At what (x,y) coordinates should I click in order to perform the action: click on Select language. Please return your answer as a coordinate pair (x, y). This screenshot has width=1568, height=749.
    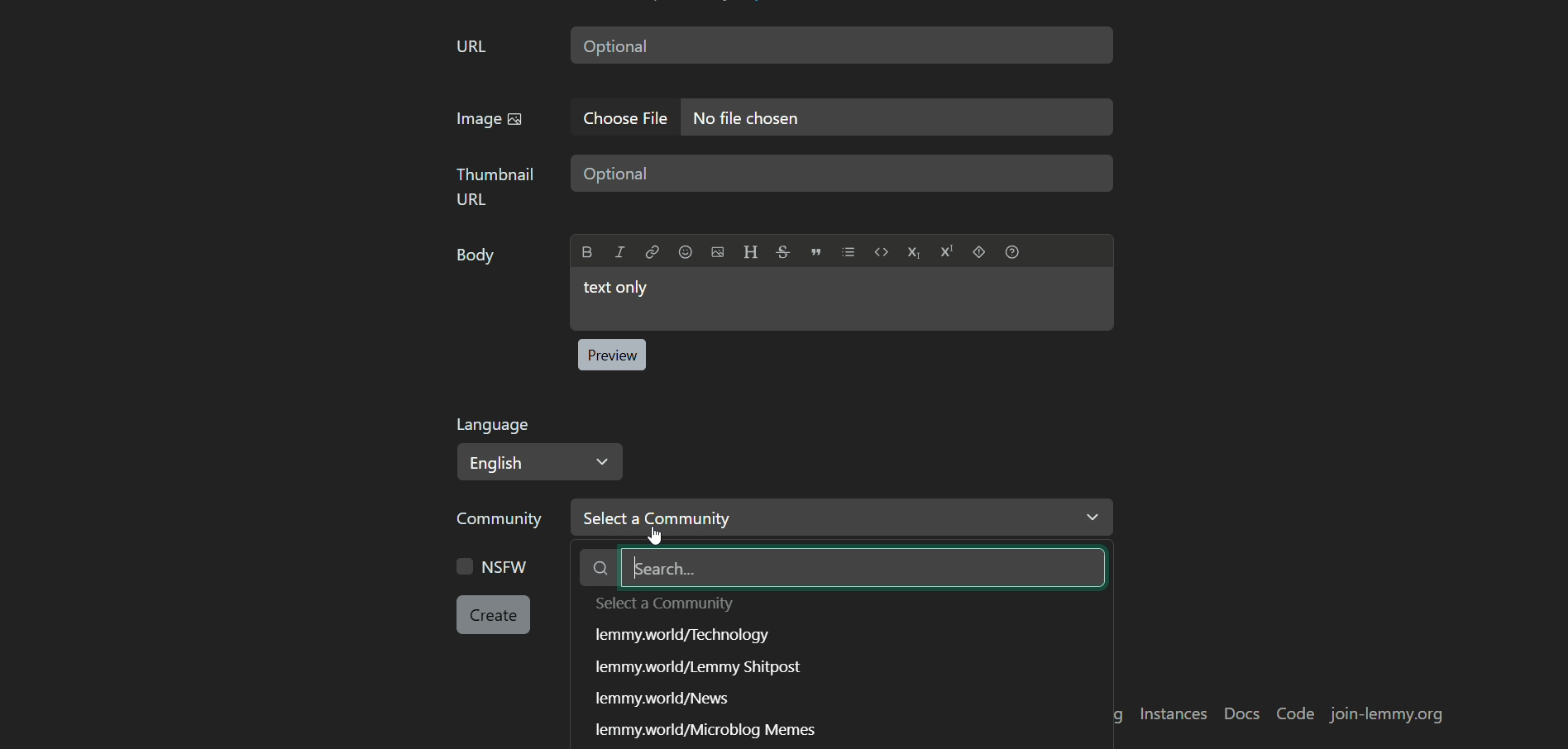
    Looking at the image, I should click on (542, 462).